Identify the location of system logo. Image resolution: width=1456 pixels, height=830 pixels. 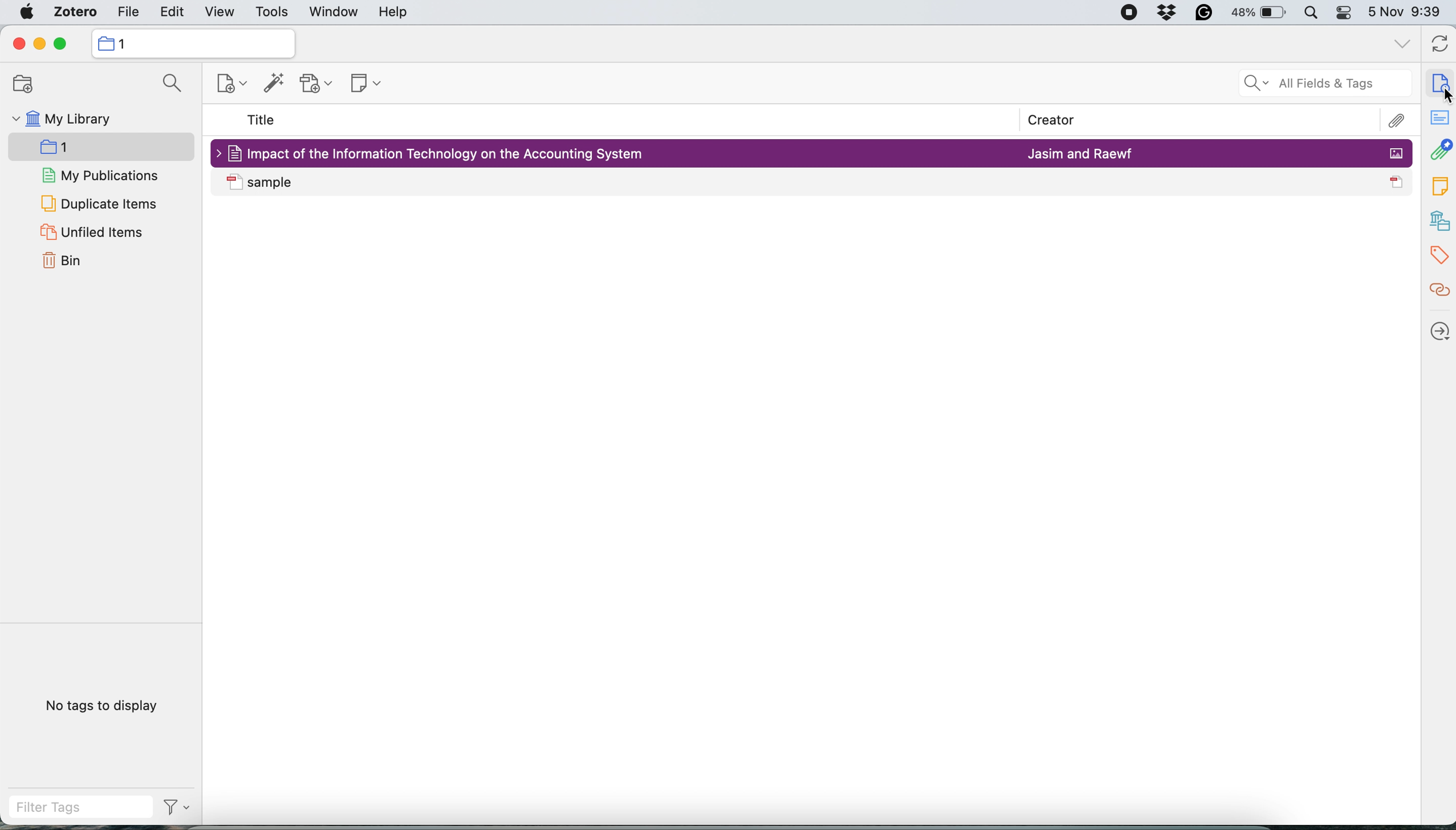
(26, 13).